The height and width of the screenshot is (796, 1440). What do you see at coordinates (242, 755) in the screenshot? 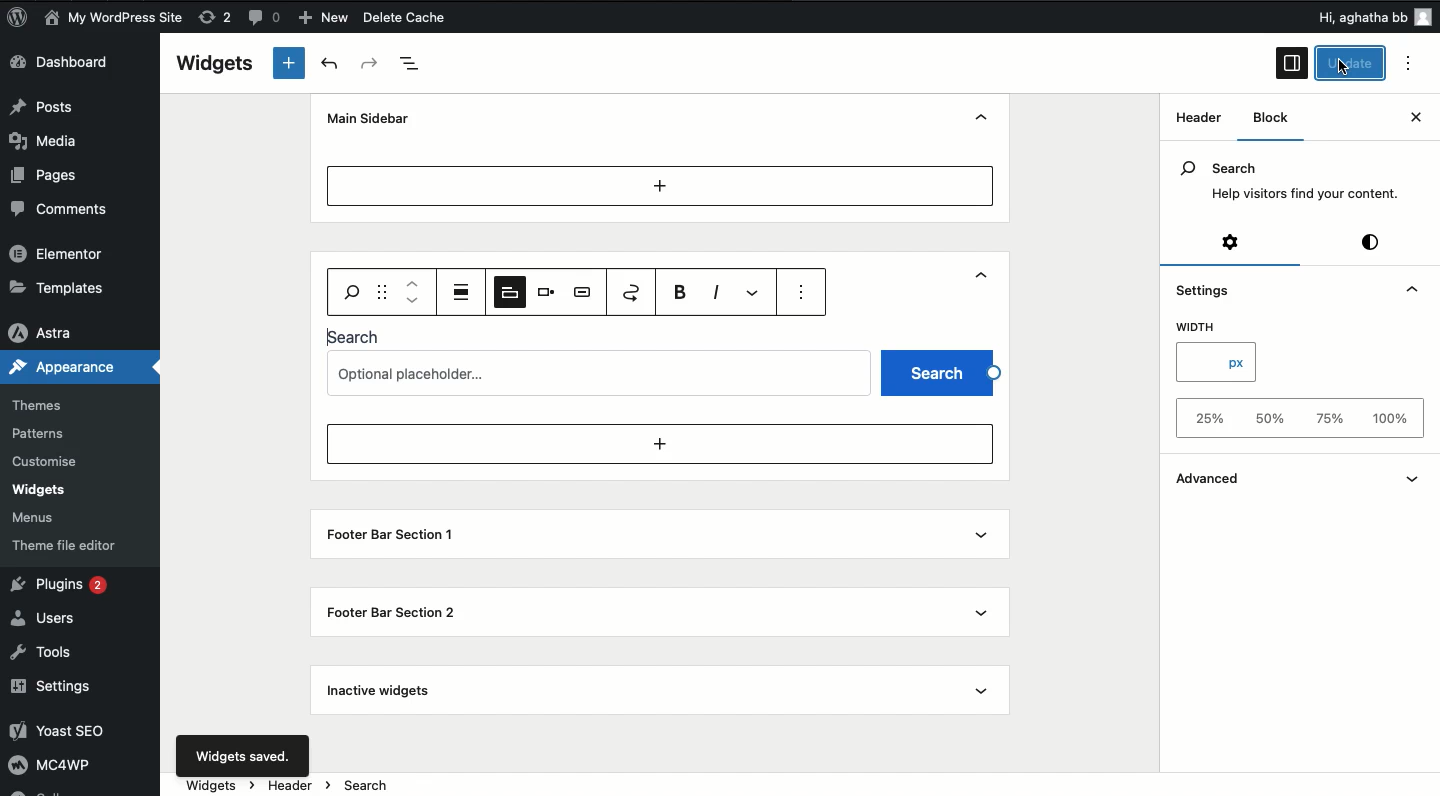
I see `Widgets saved` at bounding box center [242, 755].